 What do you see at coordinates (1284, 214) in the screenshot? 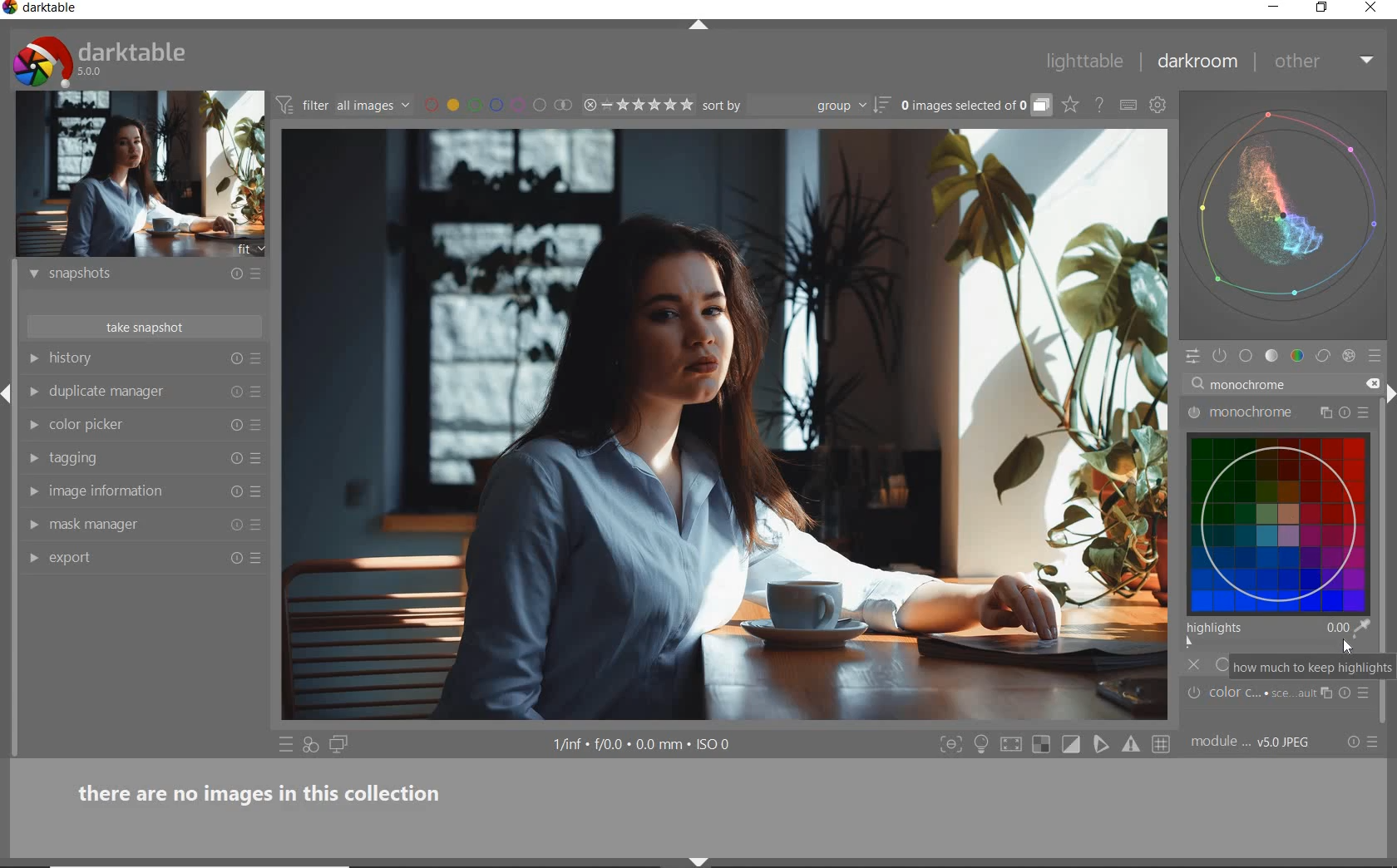
I see `waveform` at bounding box center [1284, 214].